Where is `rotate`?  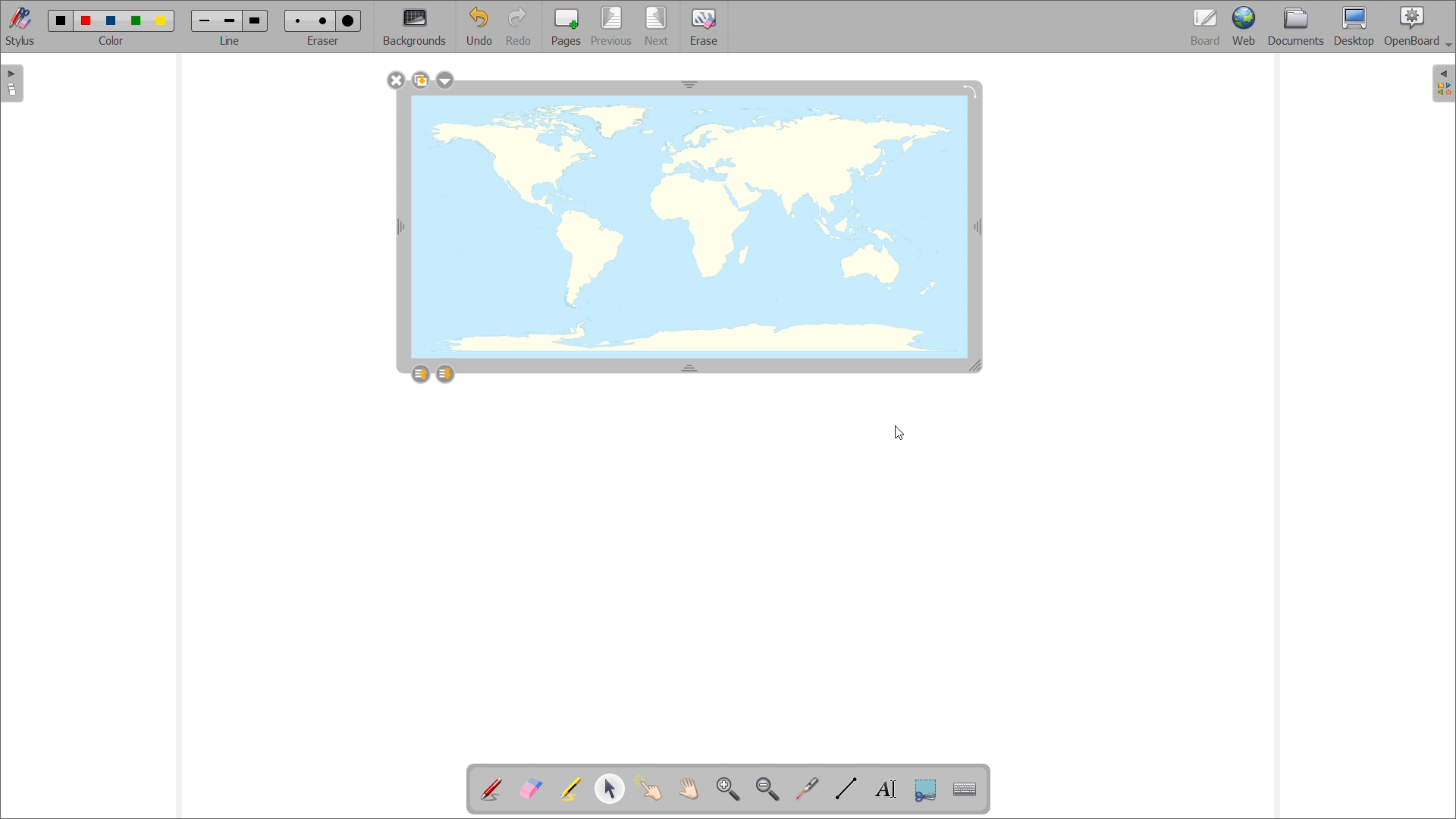 rotate is located at coordinates (969, 89).